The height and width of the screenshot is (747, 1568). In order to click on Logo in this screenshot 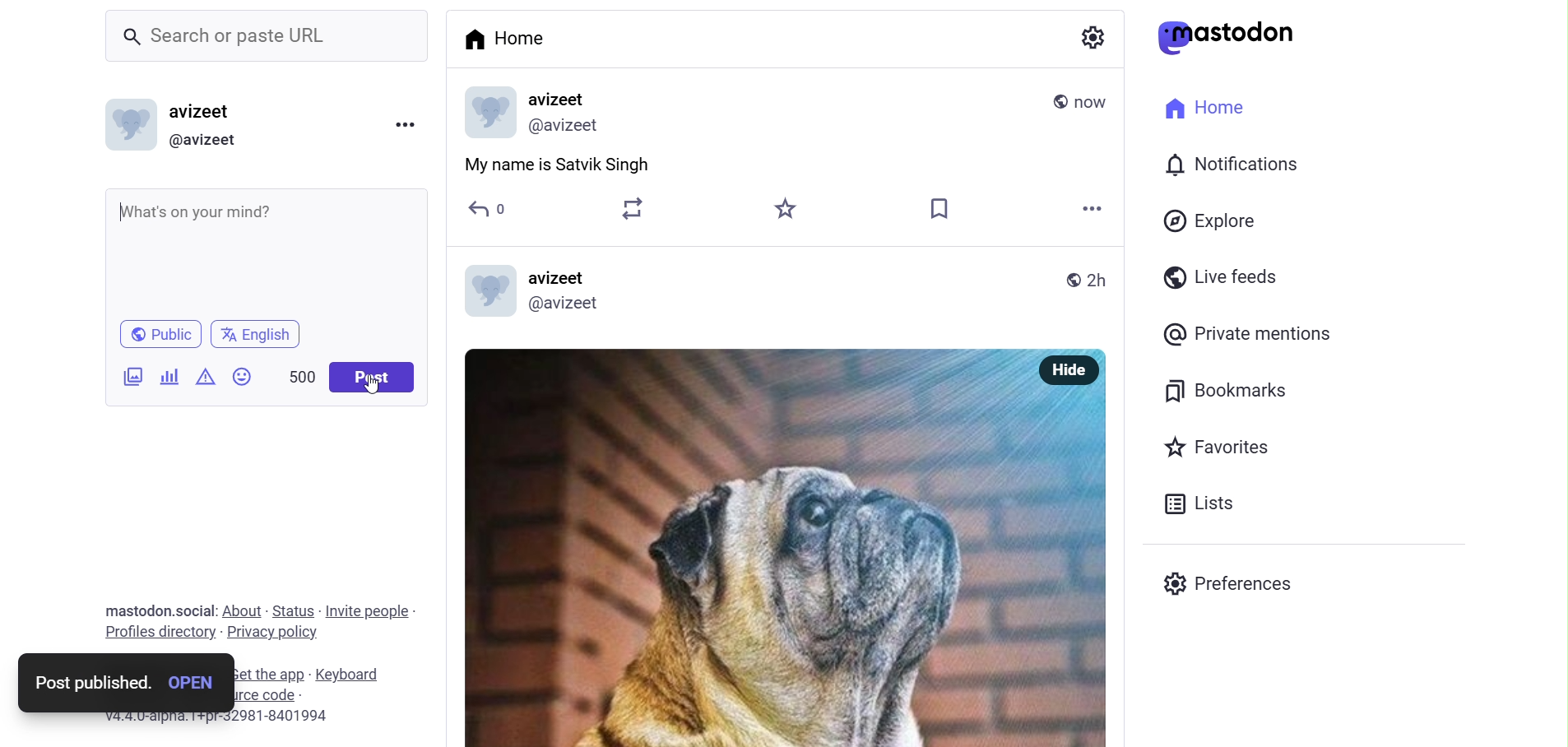, I will do `click(484, 289)`.